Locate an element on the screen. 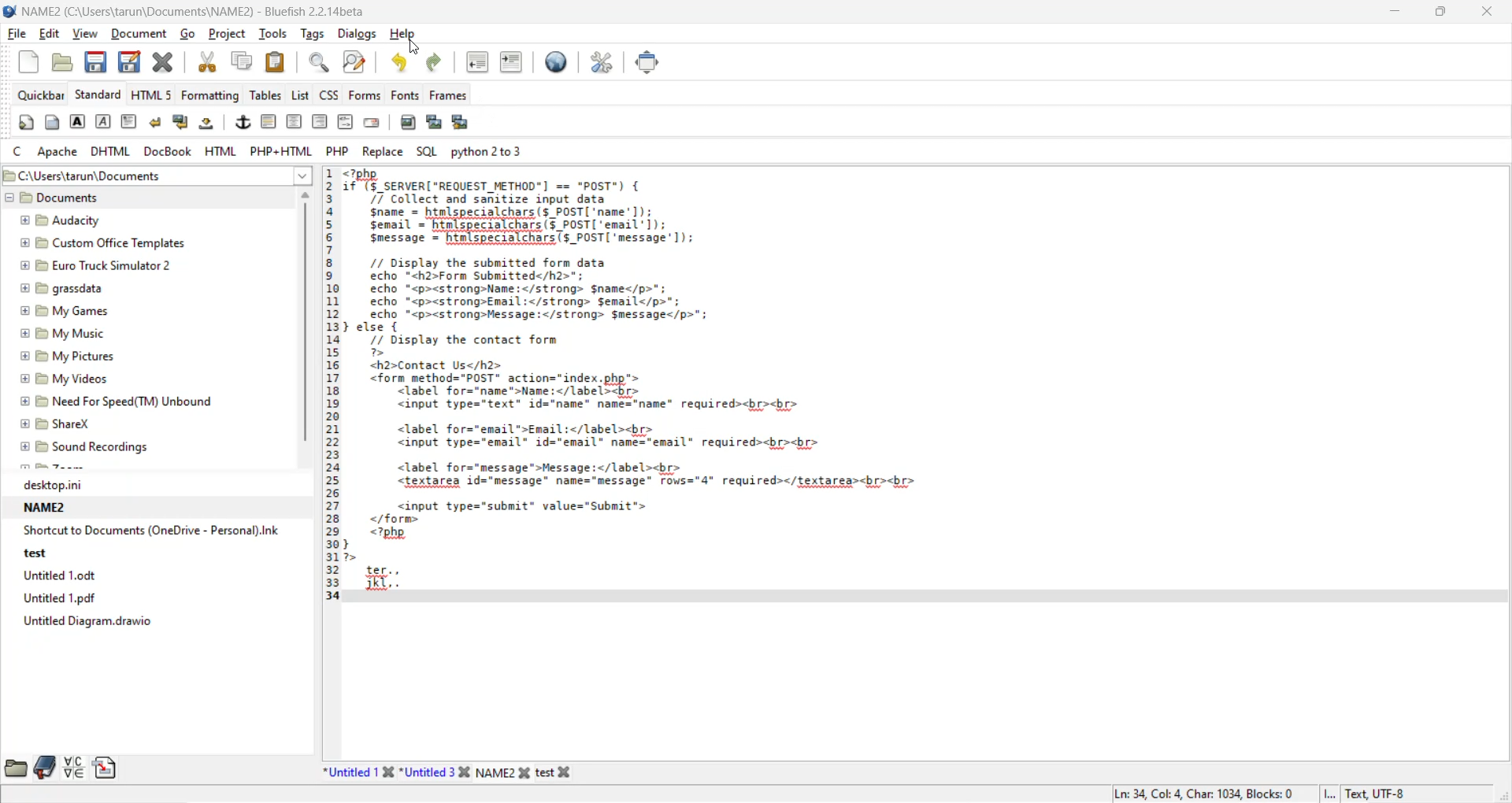 The height and width of the screenshot is (803, 1512). snippets is located at coordinates (105, 767).